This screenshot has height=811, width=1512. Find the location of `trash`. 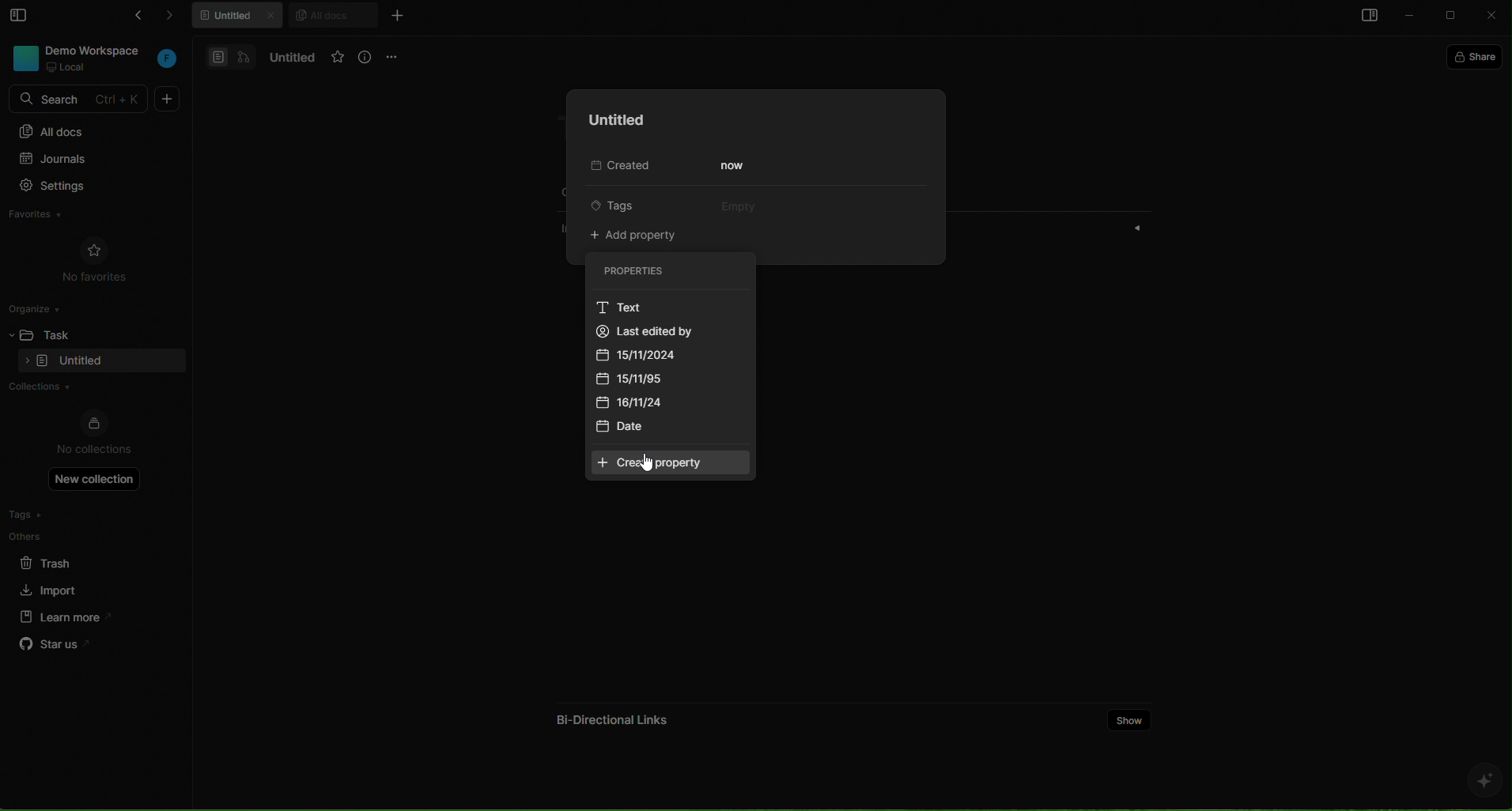

trash is located at coordinates (59, 560).